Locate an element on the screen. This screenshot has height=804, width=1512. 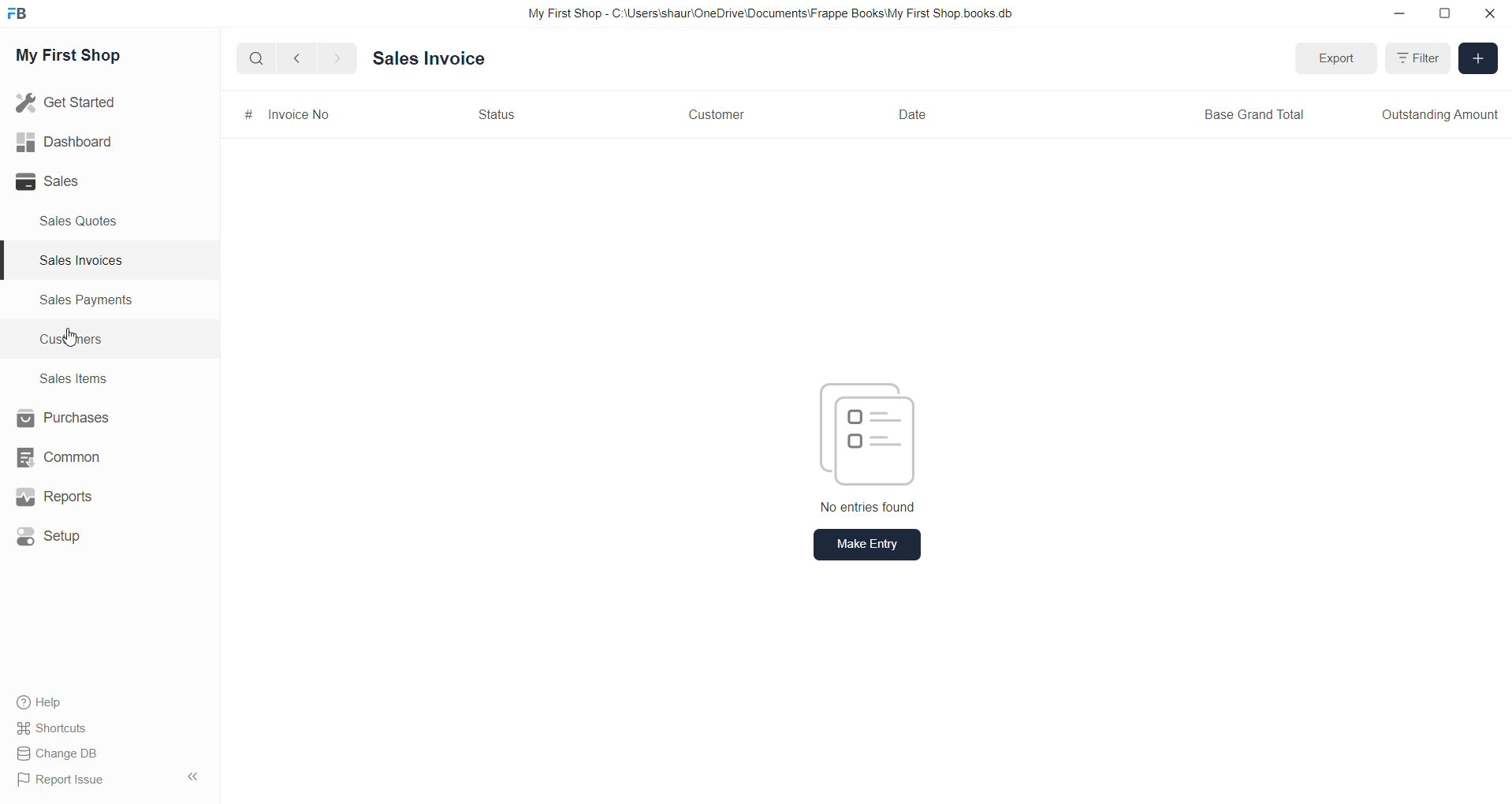
Make Entry is located at coordinates (867, 545).